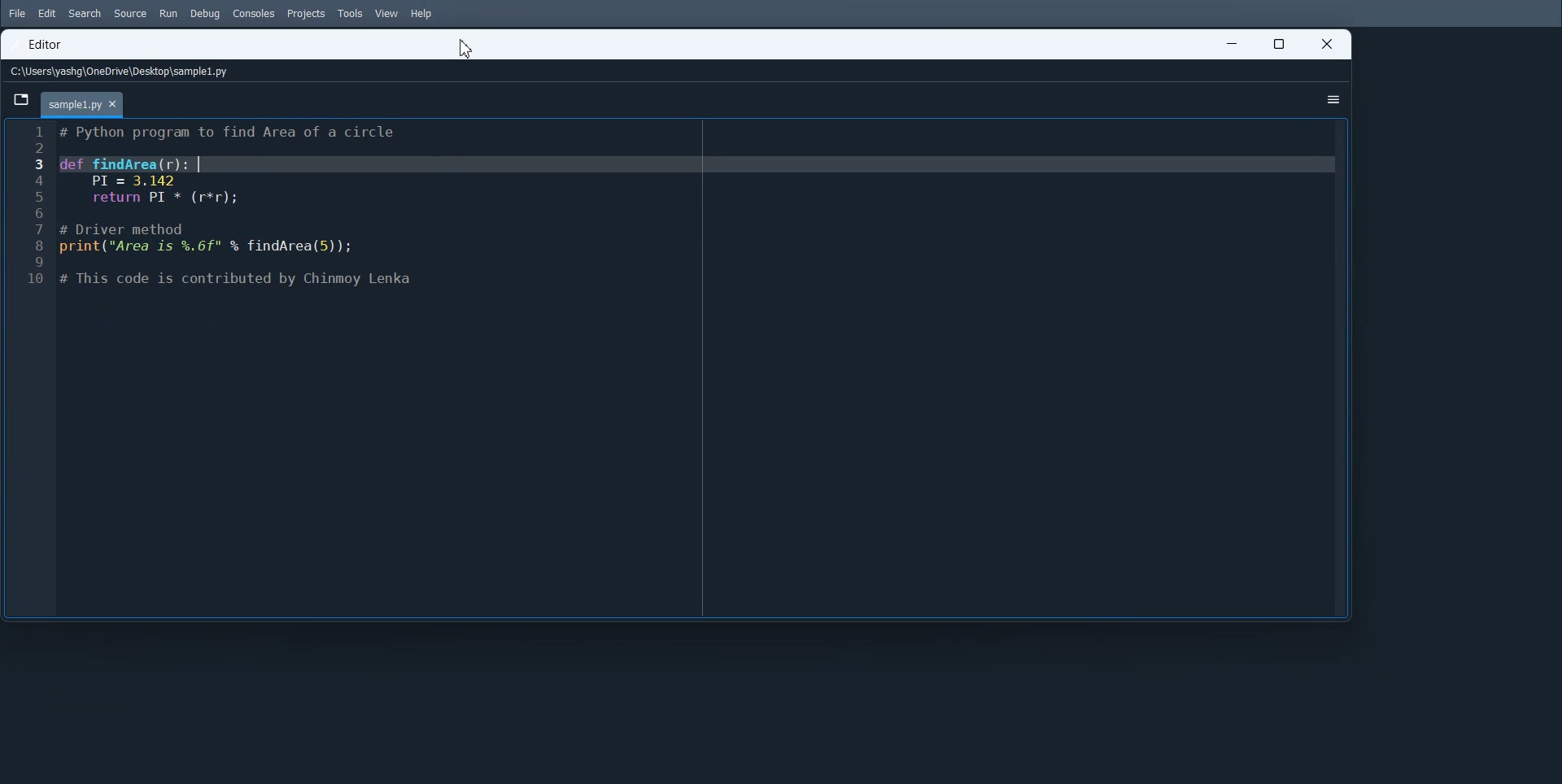  Describe the element at coordinates (1323, 46) in the screenshot. I see `Close` at that location.